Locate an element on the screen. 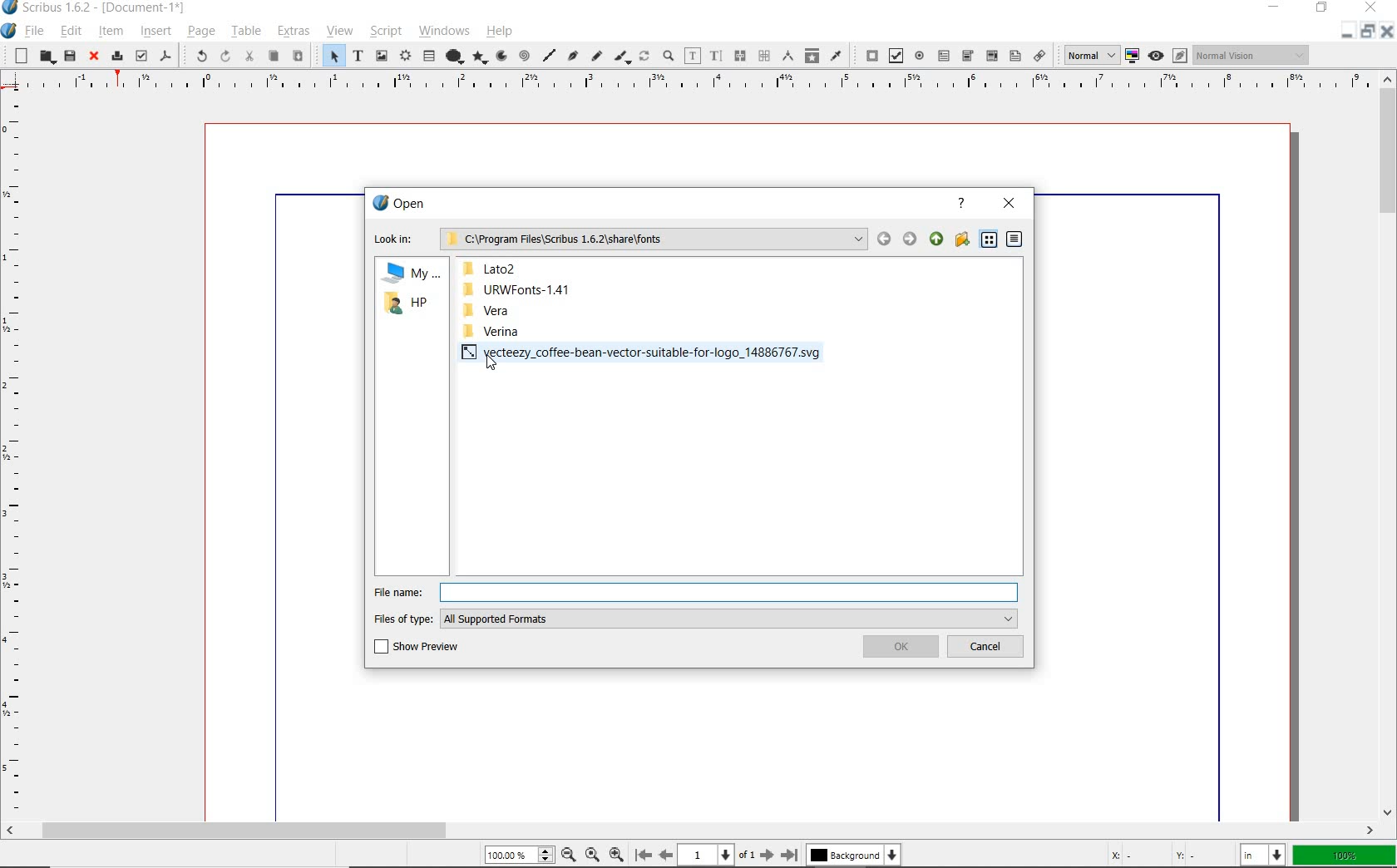  Cursor Position is located at coordinates (491, 364).